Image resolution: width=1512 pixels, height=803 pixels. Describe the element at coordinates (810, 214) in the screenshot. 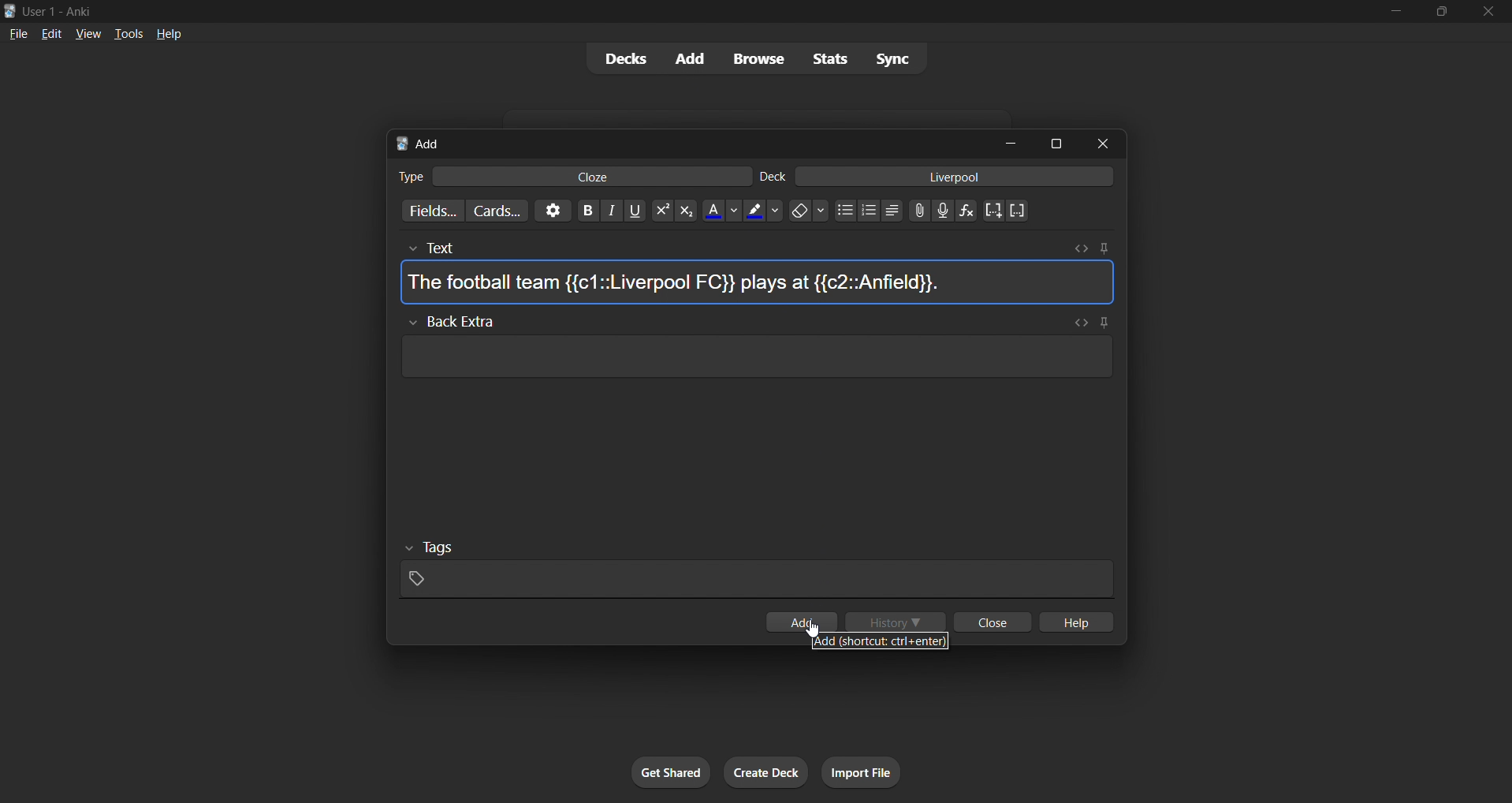

I see `erase formatting` at that location.